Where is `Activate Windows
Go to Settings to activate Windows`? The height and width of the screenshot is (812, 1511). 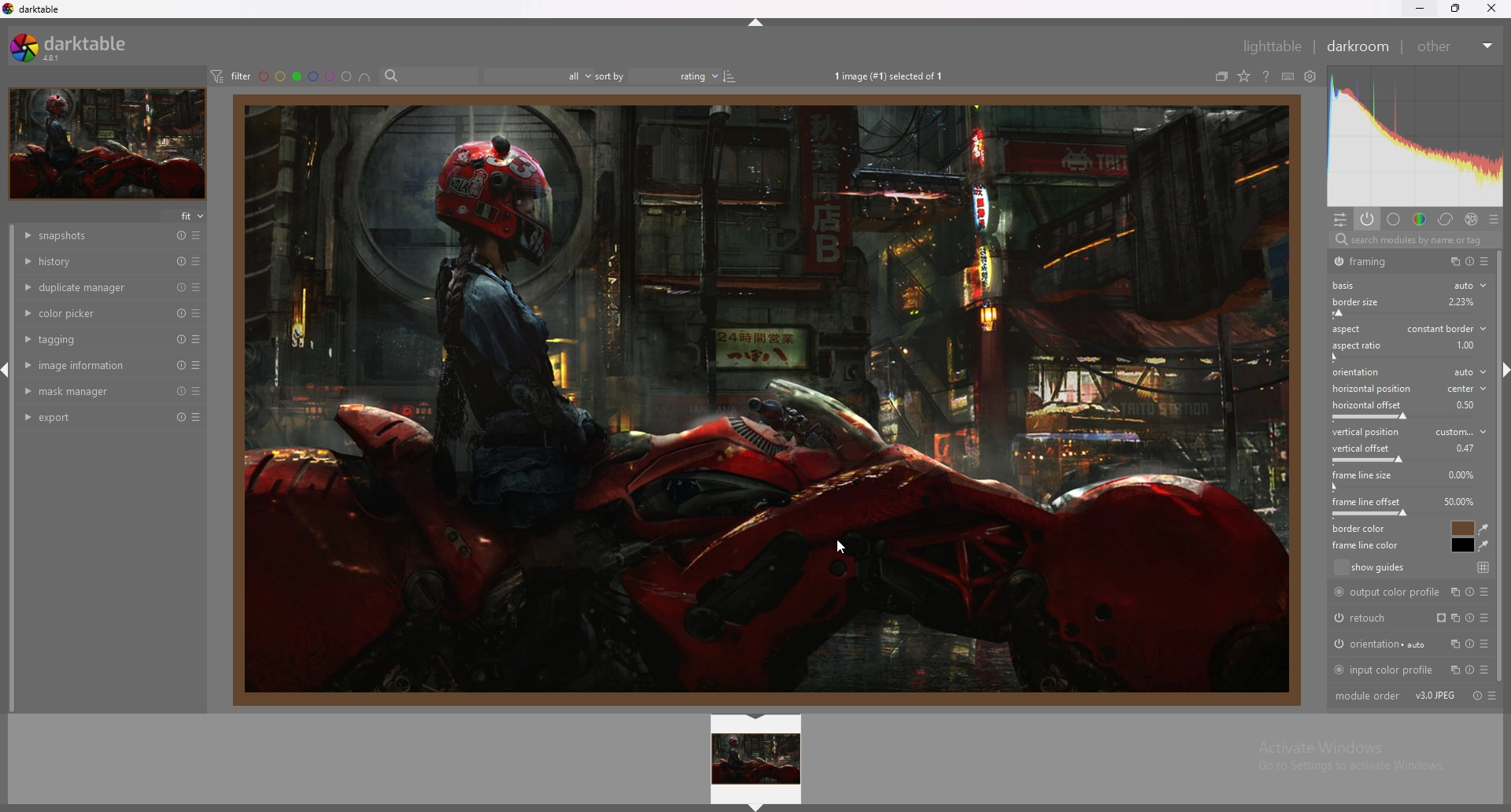
Activate Windows
Go to Settings to activate Windows is located at coordinates (1347, 760).